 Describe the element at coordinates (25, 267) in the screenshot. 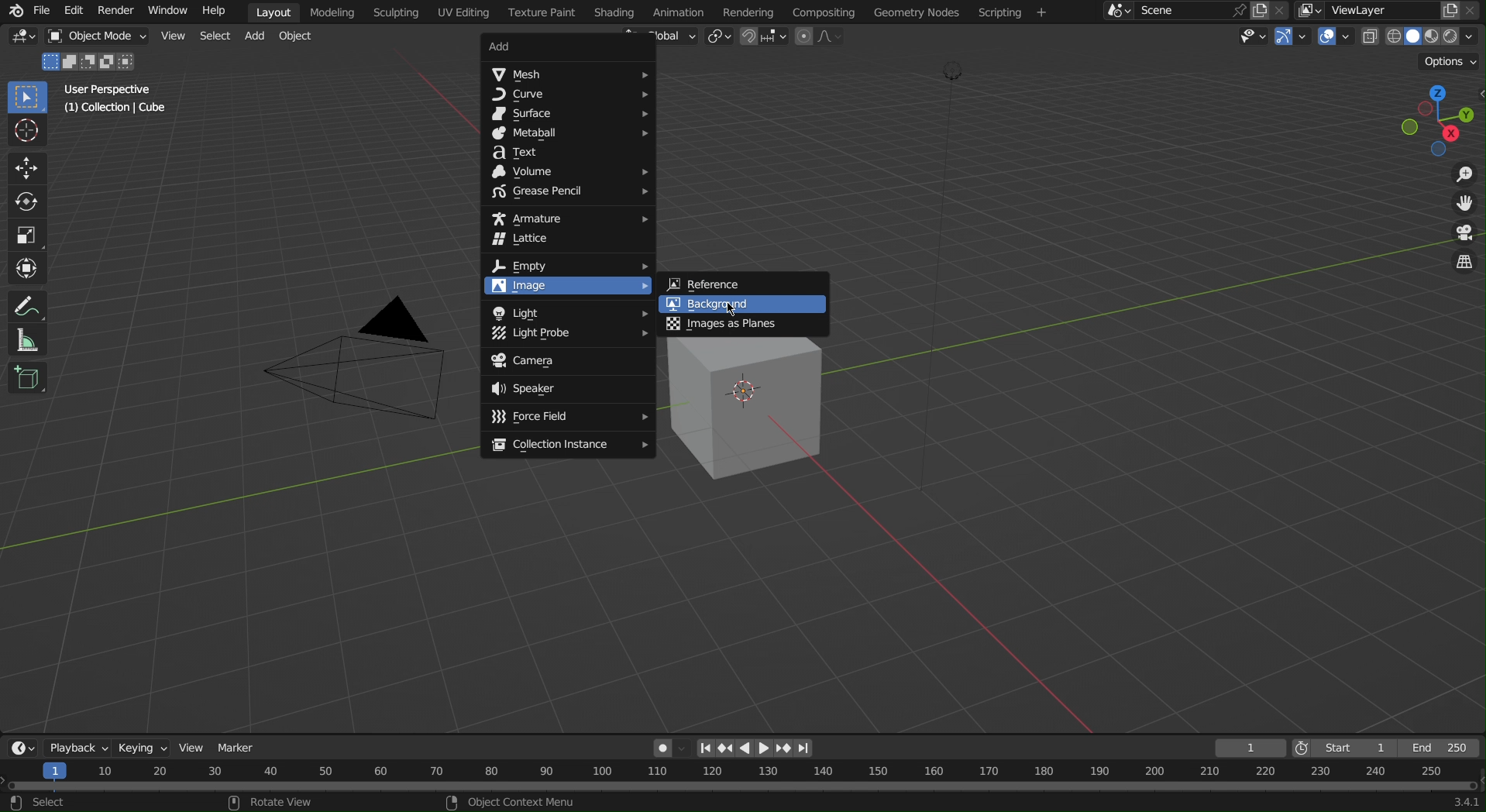

I see `Transform` at that location.